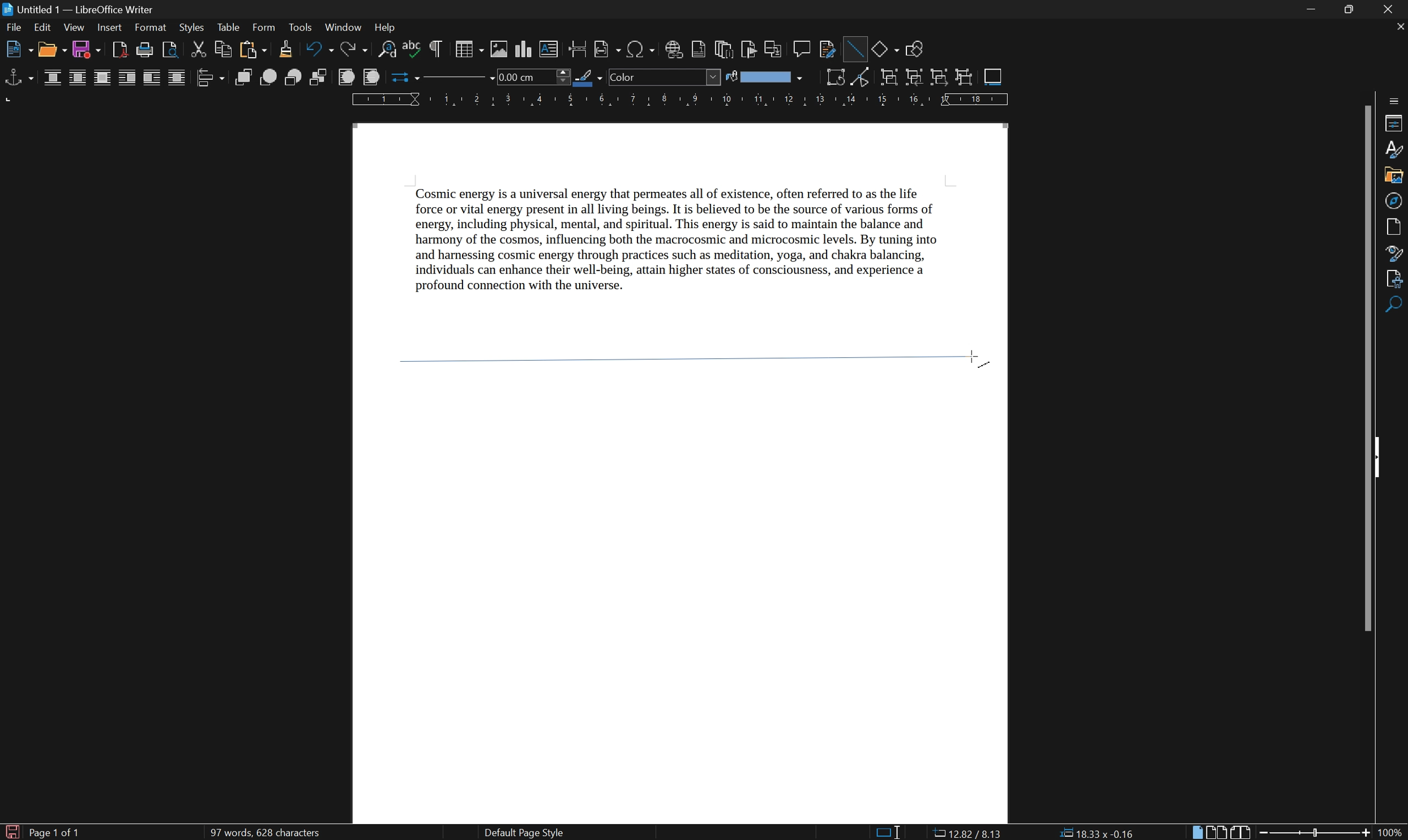 This screenshot has width=1408, height=840. I want to click on single page view, so click(1197, 833).